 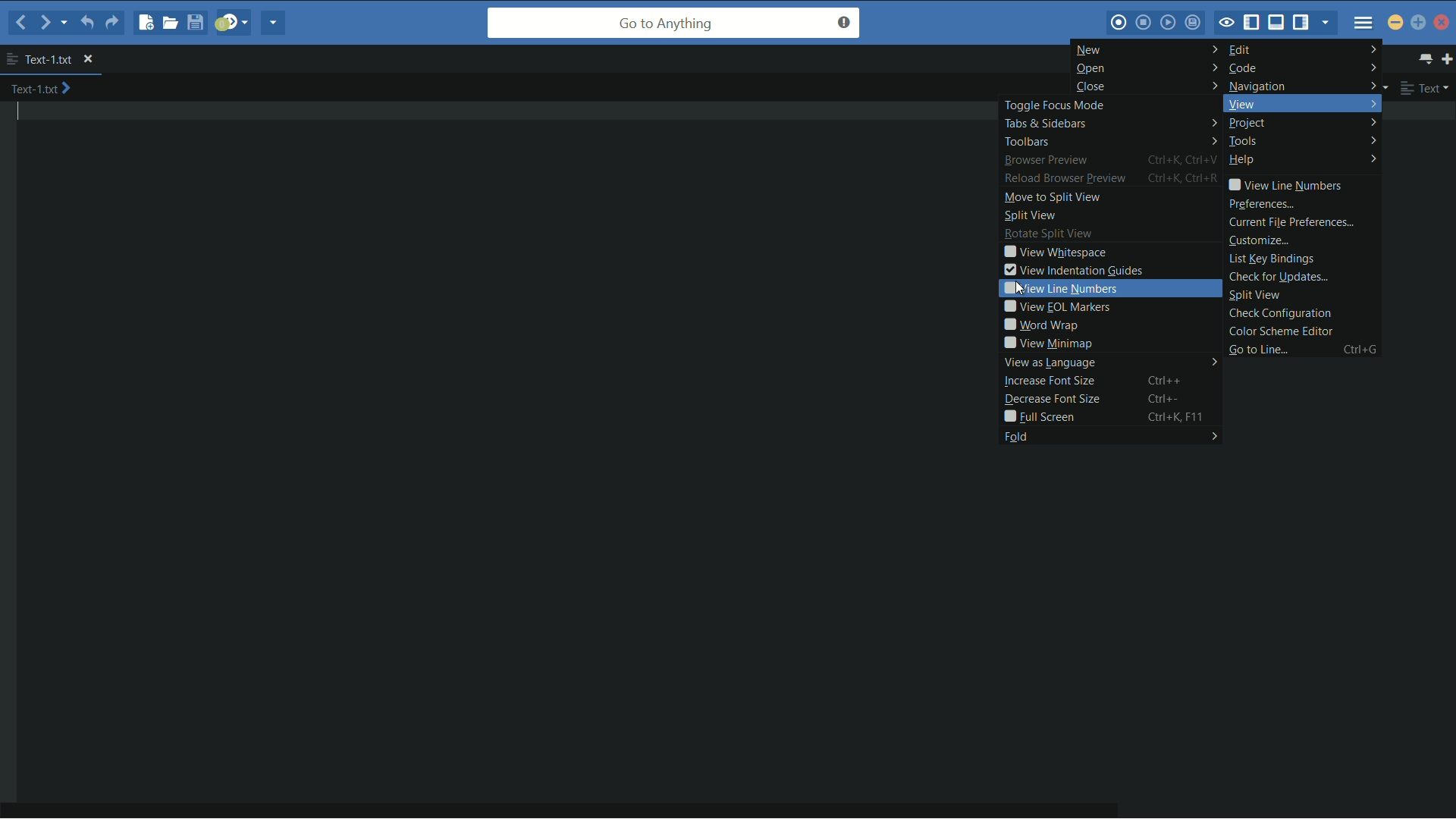 What do you see at coordinates (1301, 142) in the screenshot?
I see `tools` at bounding box center [1301, 142].